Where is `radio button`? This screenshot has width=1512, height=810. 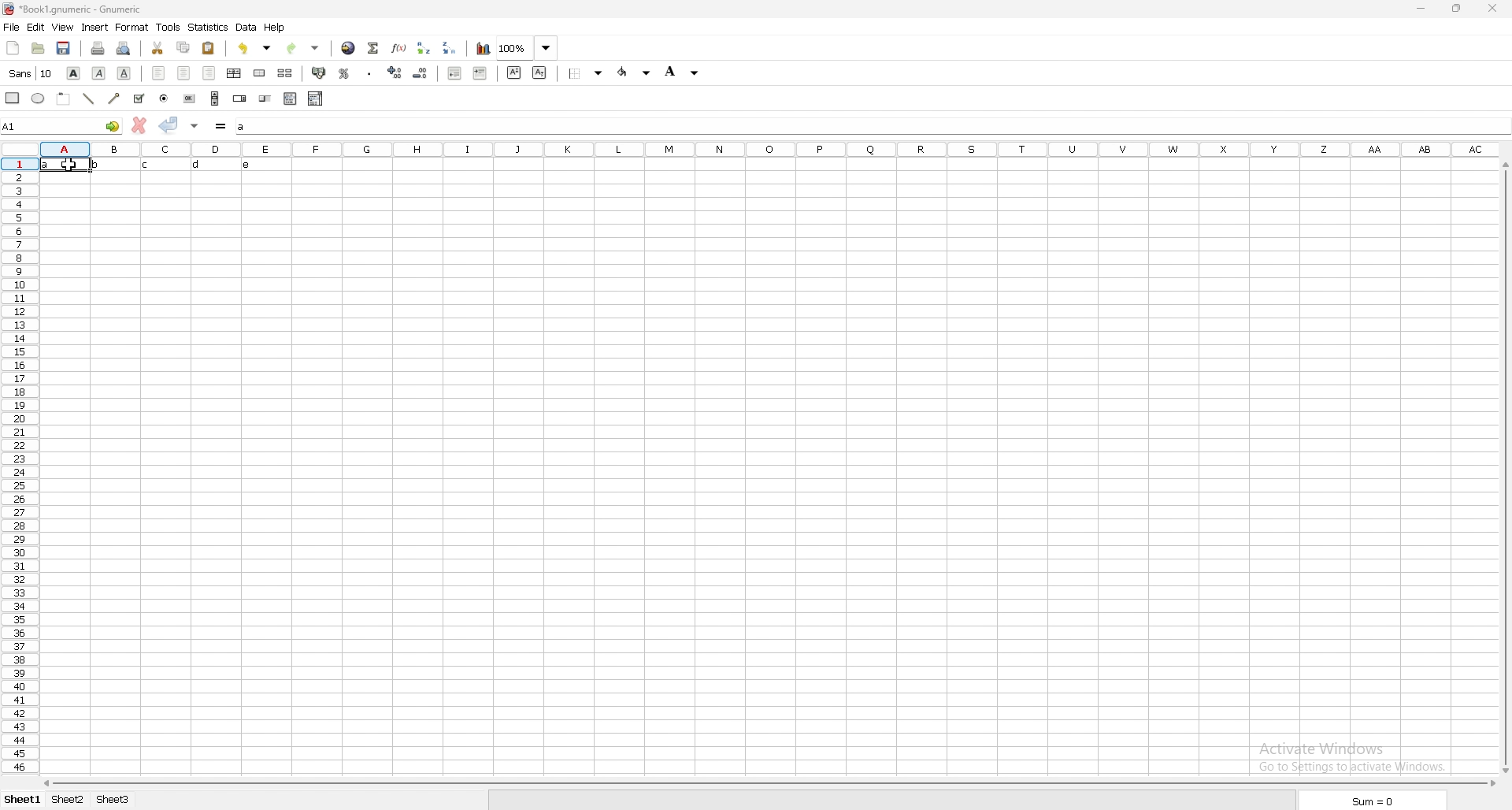
radio button is located at coordinates (164, 99).